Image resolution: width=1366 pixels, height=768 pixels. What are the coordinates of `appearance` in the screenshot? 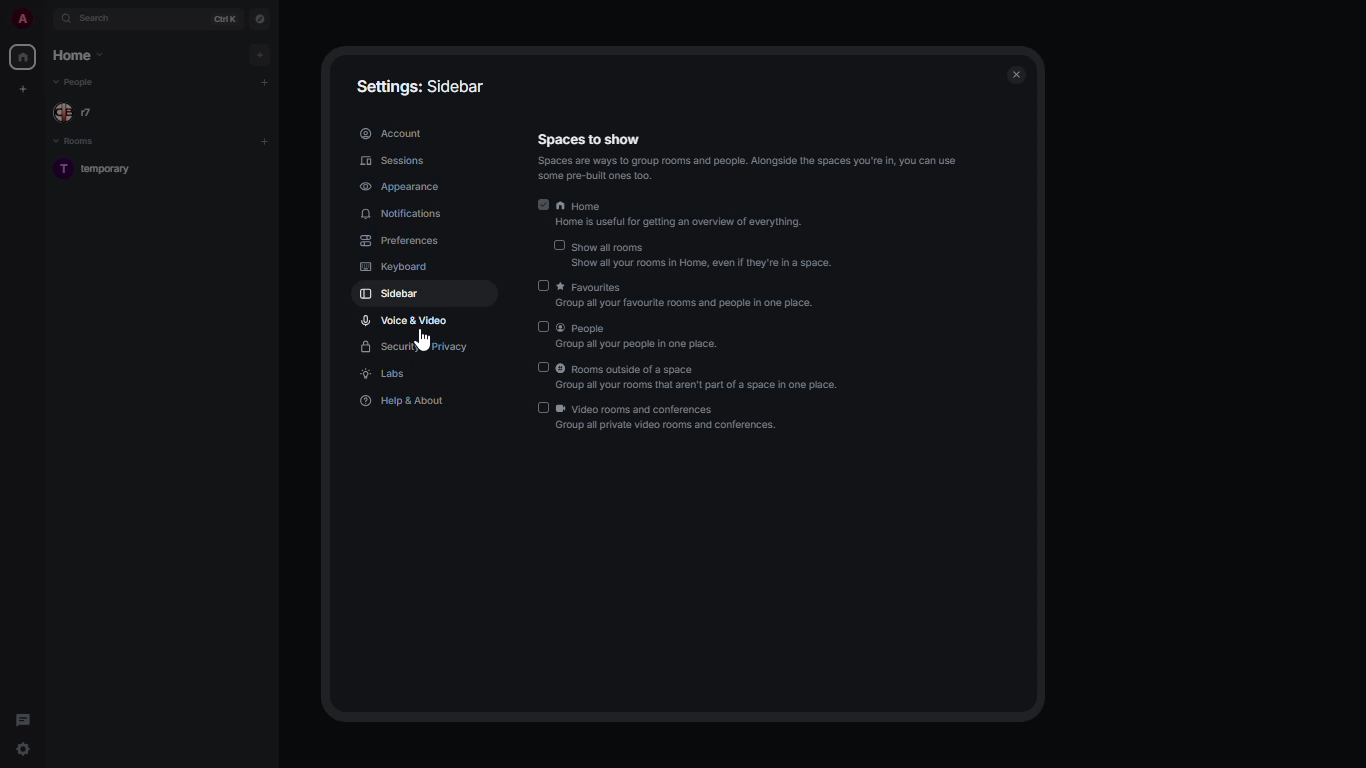 It's located at (401, 187).